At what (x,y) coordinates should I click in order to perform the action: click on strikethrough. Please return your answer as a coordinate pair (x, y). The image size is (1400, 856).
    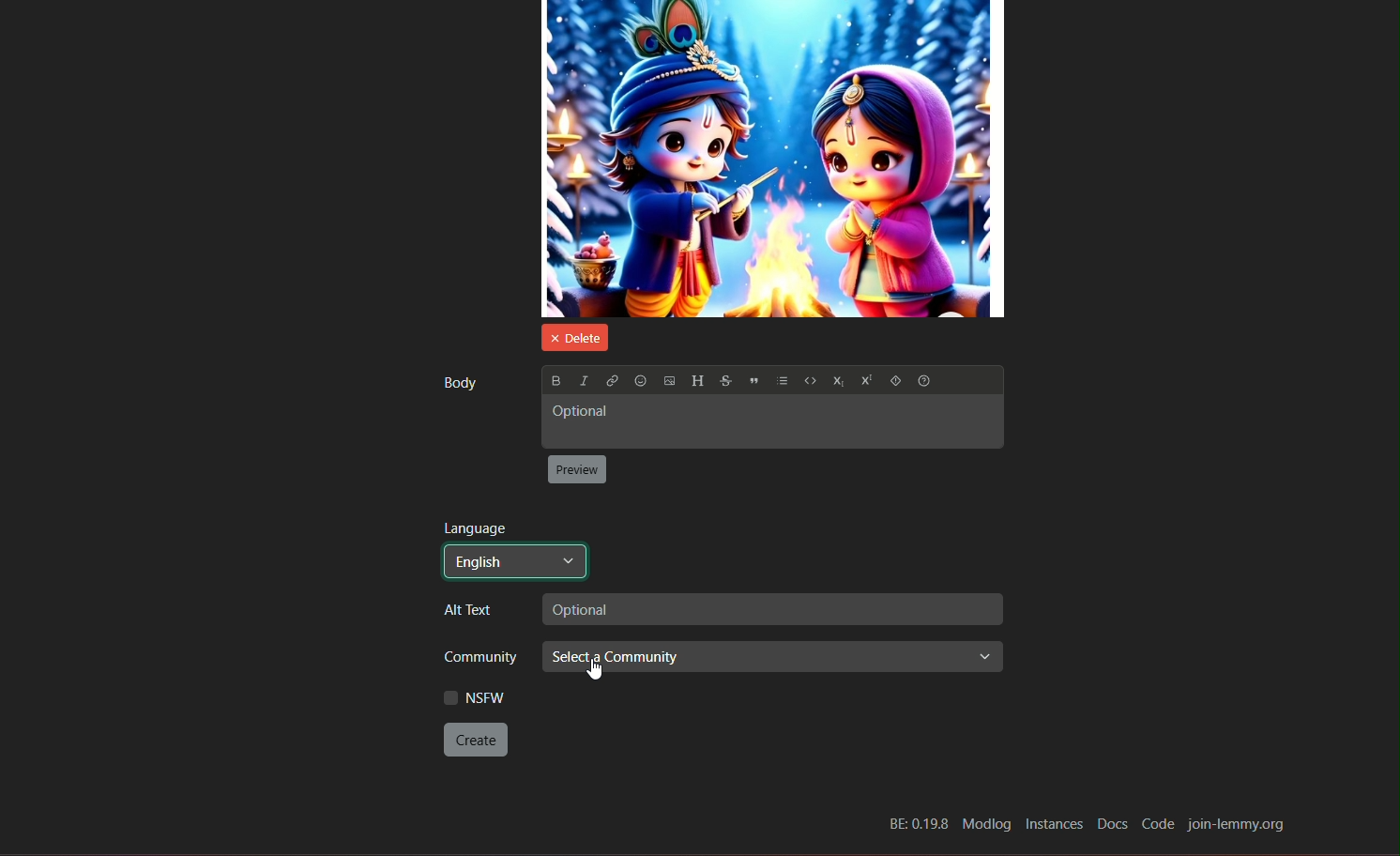
    Looking at the image, I should click on (724, 381).